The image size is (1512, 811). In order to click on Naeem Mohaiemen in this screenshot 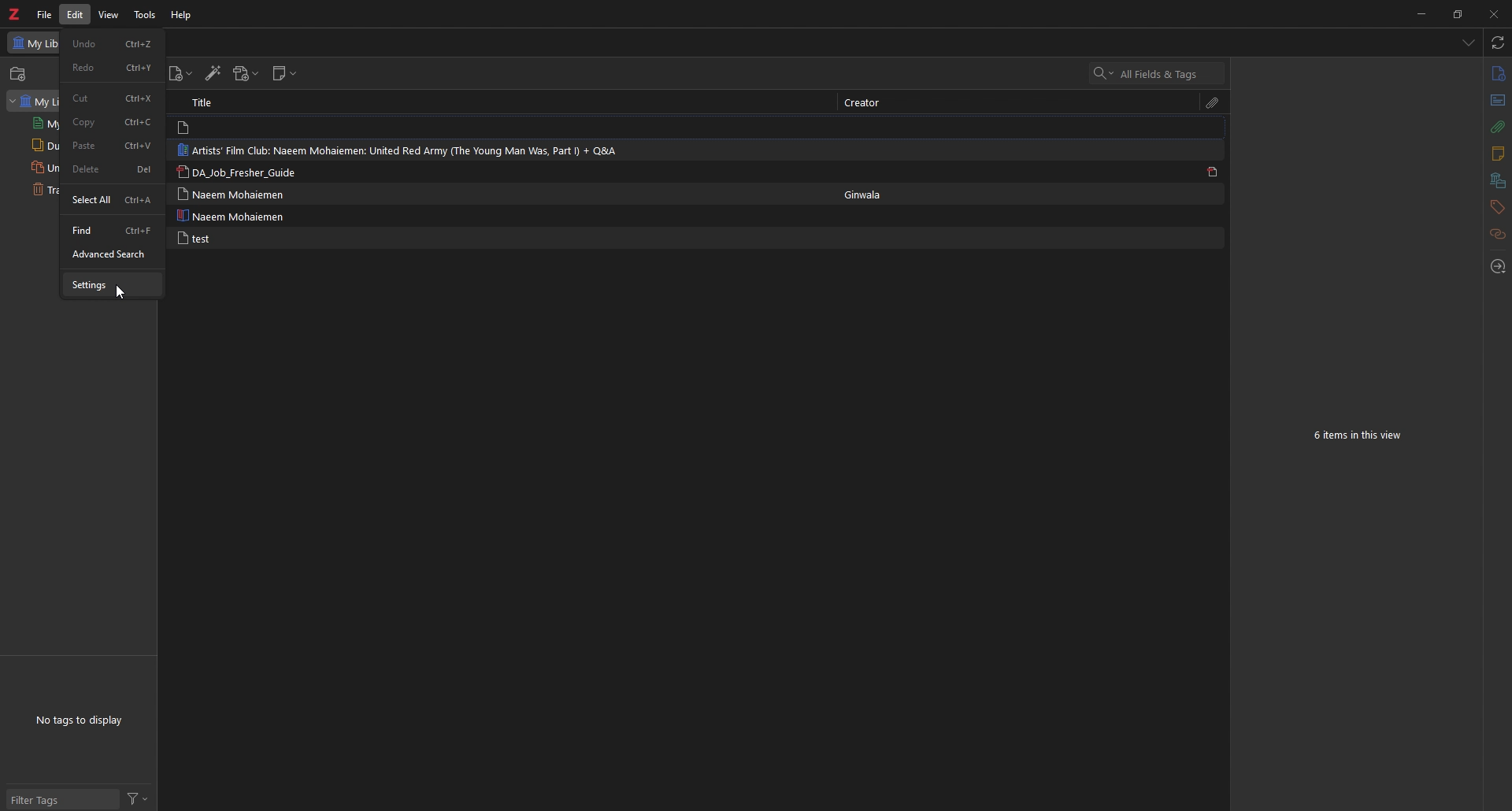, I will do `click(234, 216)`.